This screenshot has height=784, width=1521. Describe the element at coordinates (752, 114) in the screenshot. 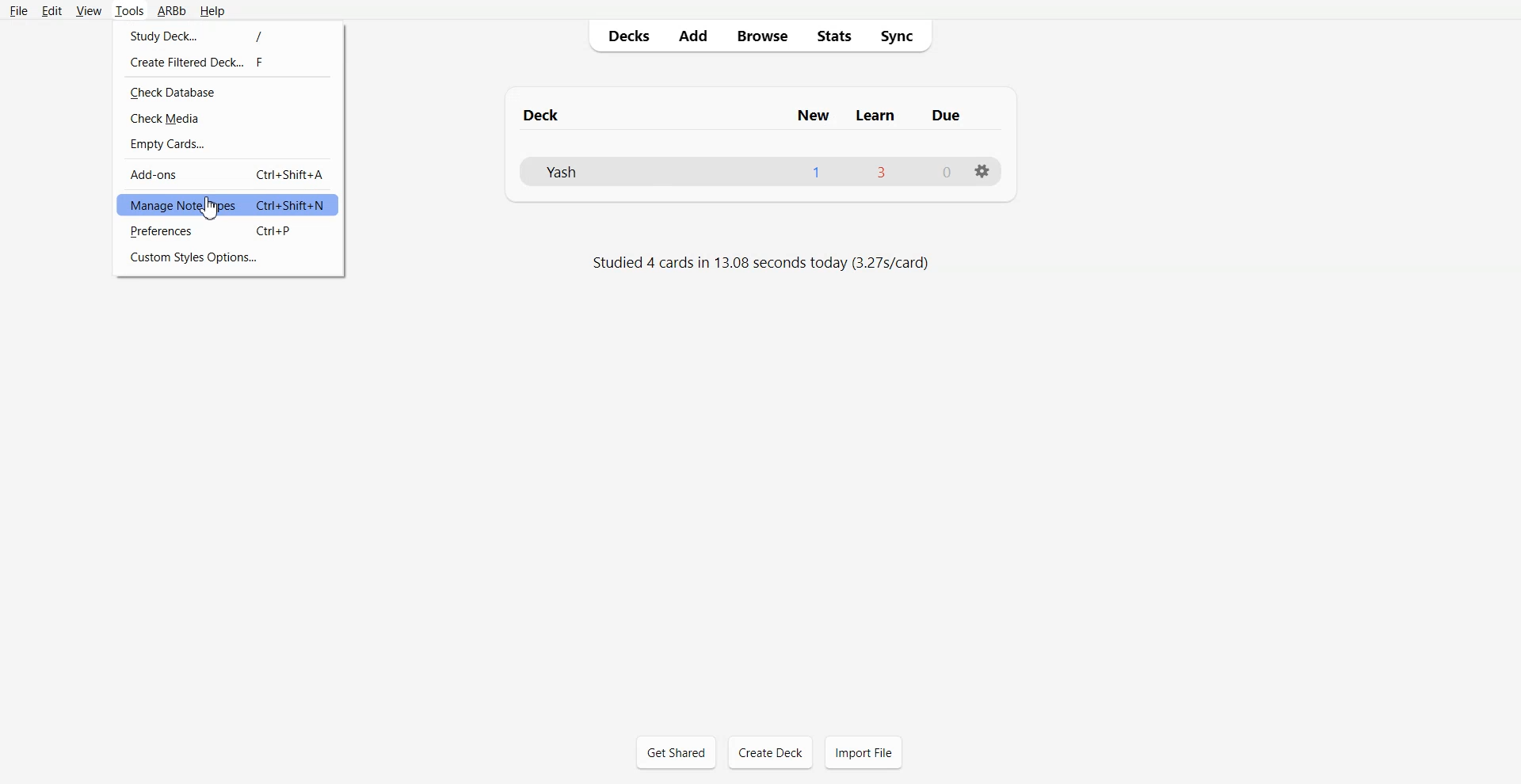

I see `Text 1` at that location.